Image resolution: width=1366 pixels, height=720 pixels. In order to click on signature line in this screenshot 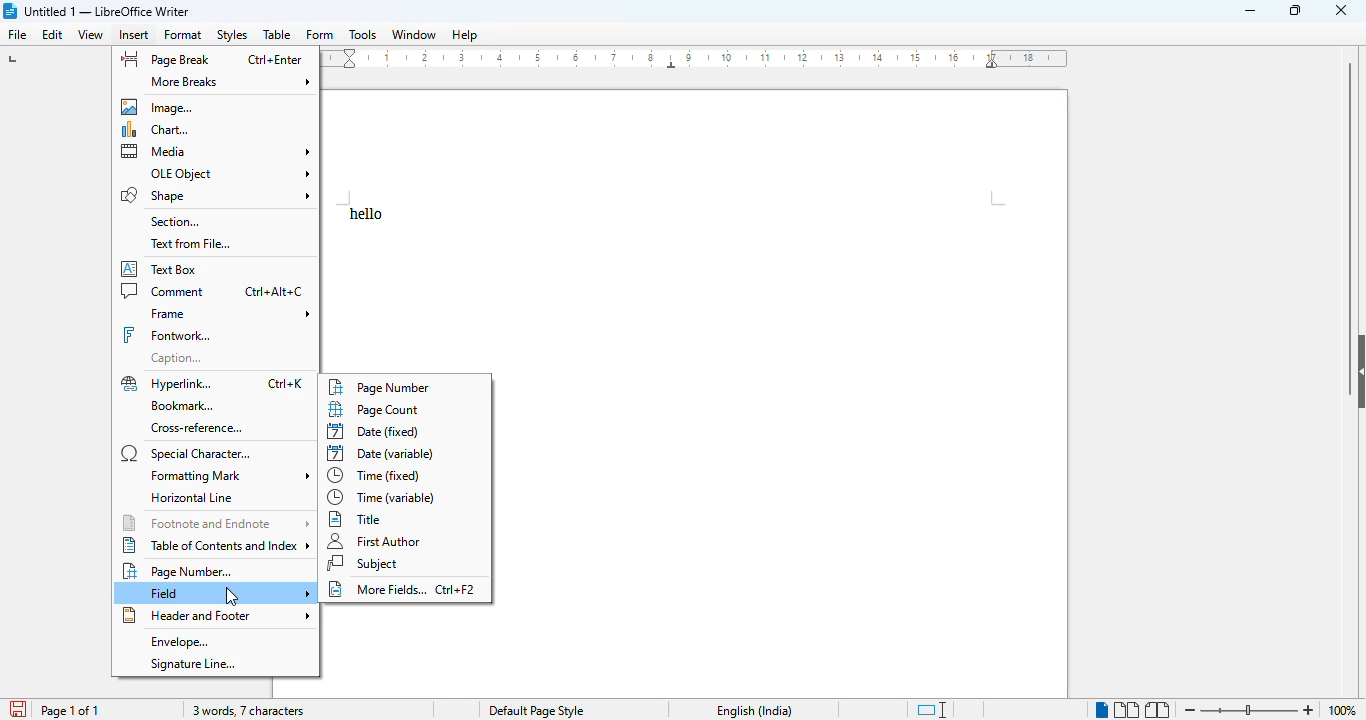, I will do `click(196, 665)`.